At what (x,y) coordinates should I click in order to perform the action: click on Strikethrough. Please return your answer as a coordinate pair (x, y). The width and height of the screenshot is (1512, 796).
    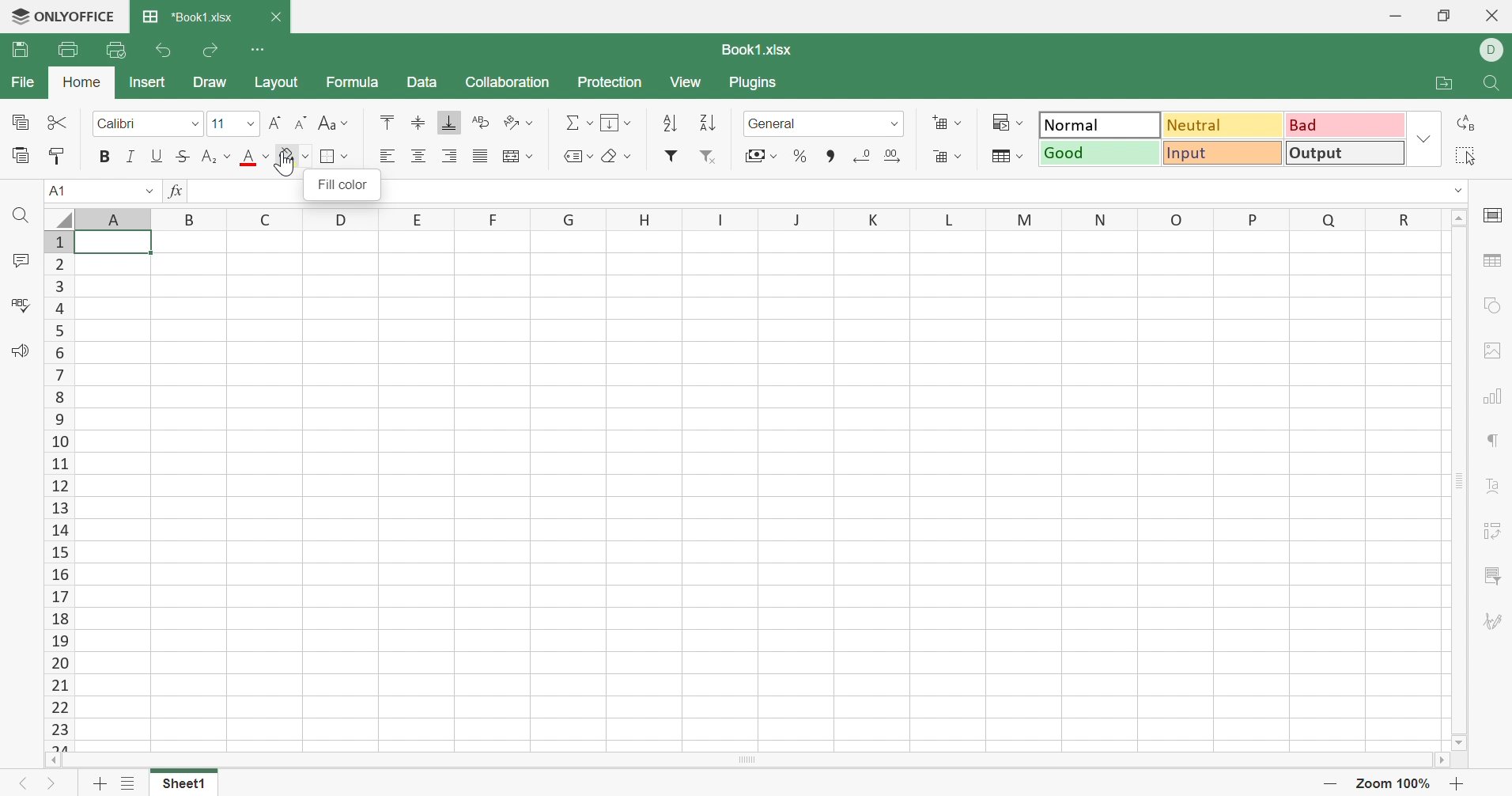
    Looking at the image, I should click on (183, 154).